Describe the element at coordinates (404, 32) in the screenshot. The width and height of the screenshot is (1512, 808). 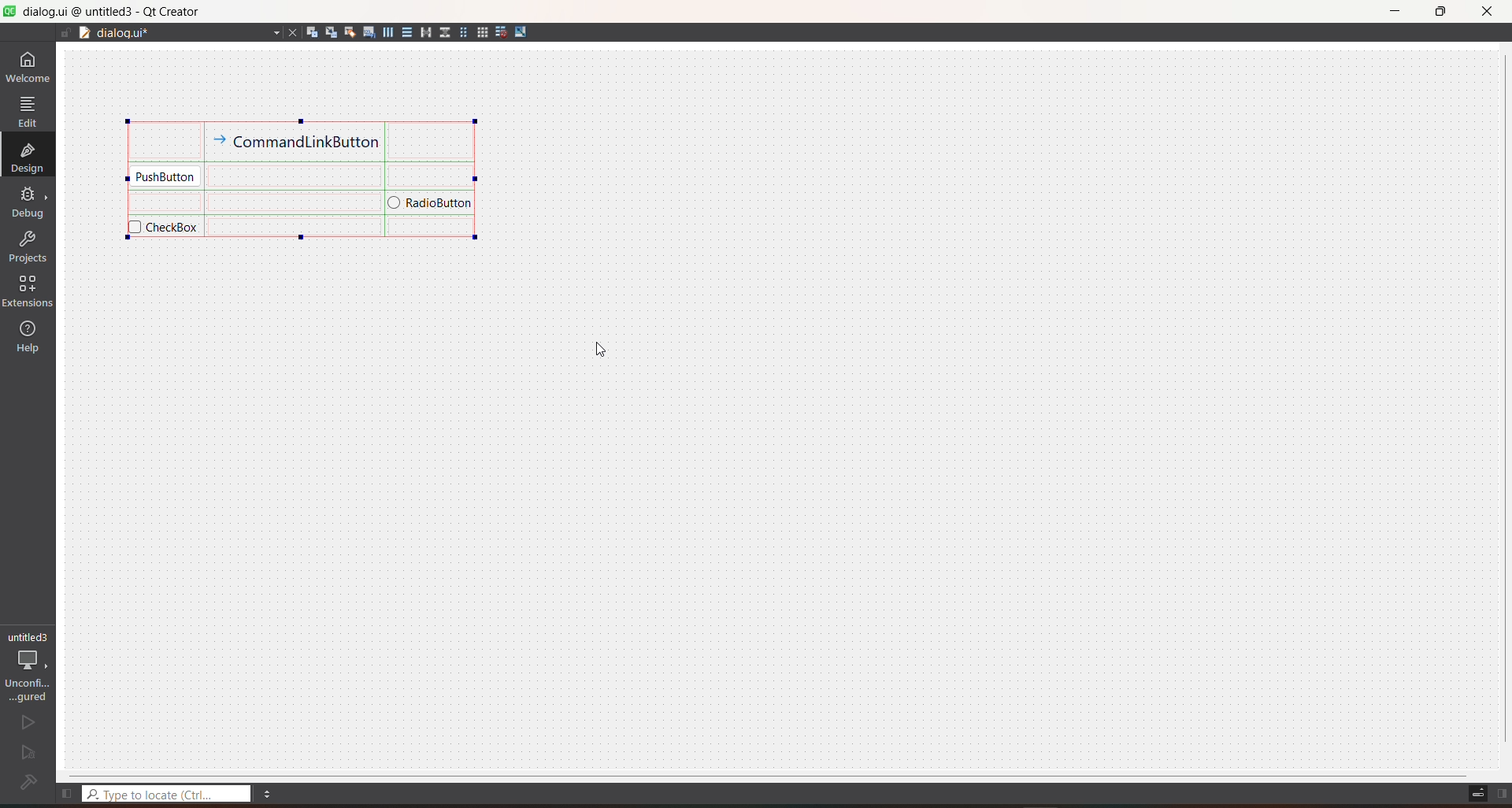
I see `layout vertically` at that location.